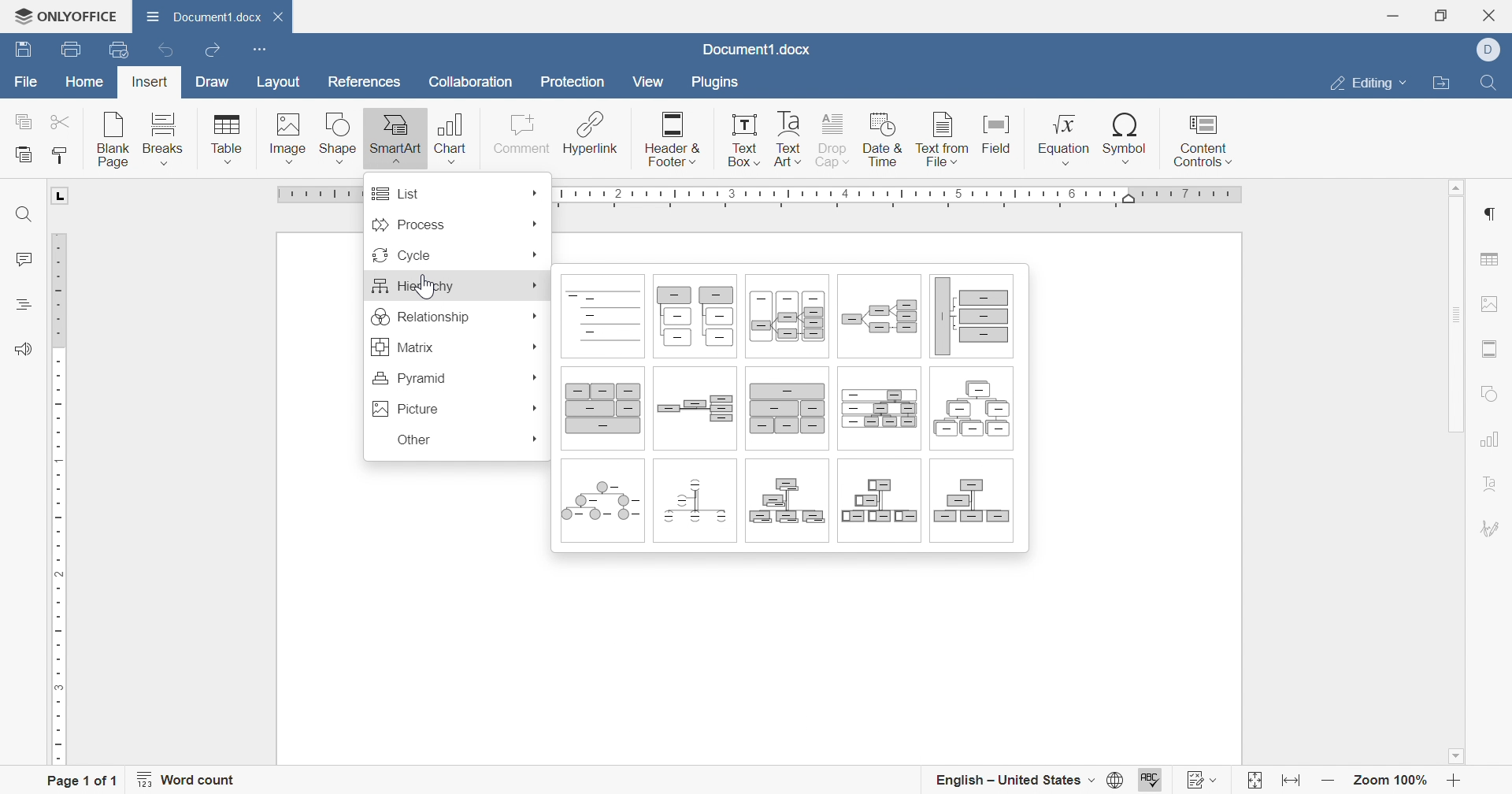 This screenshot has width=1512, height=794. Describe the element at coordinates (1440, 16) in the screenshot. I see `Restore down` at that location.